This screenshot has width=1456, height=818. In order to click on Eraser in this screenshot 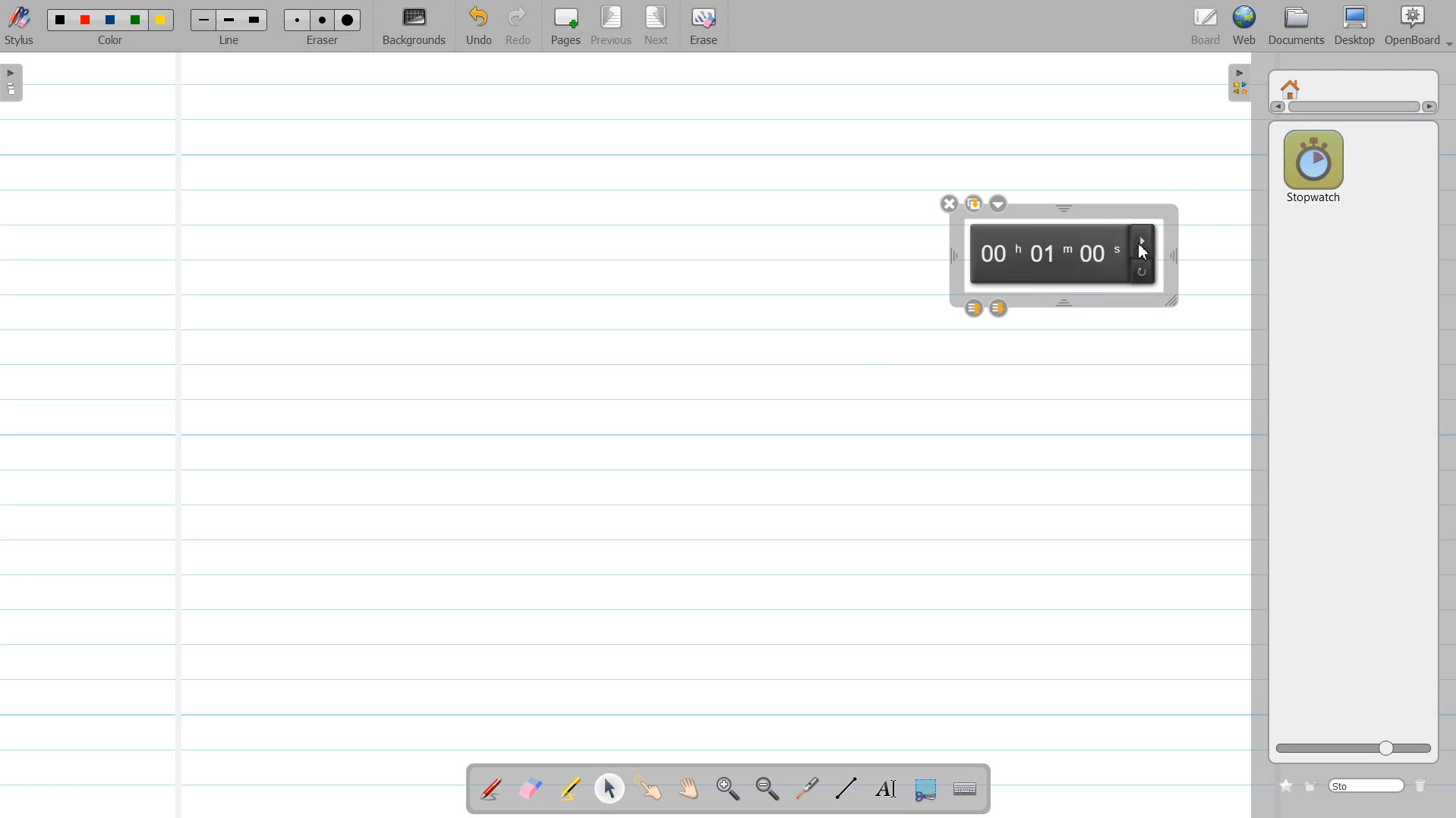, I will do `click(323, 27)`.